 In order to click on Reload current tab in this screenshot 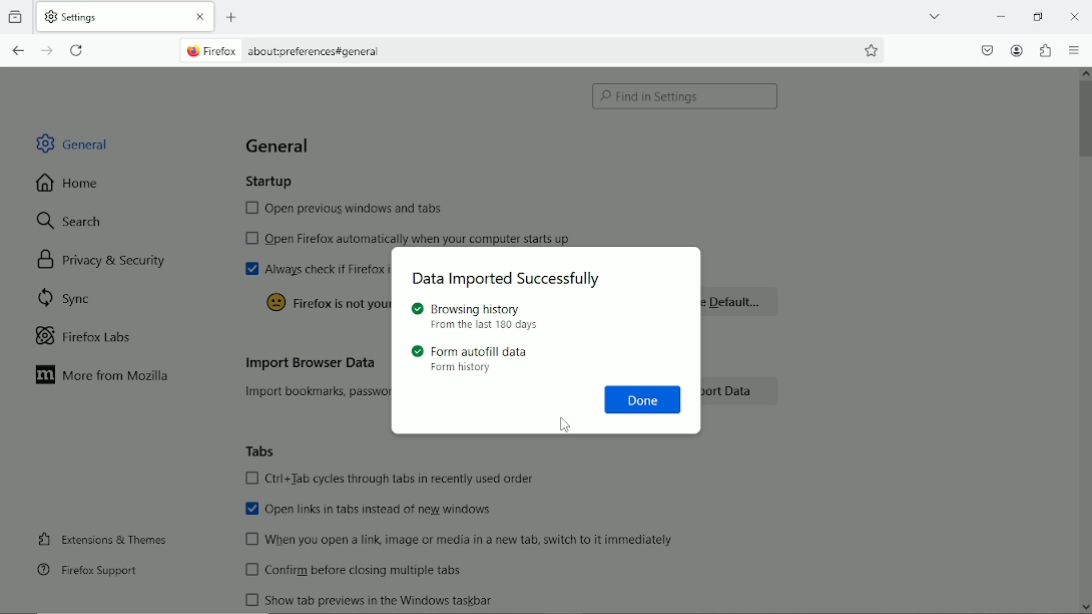, I will do `click(81, 51)`.